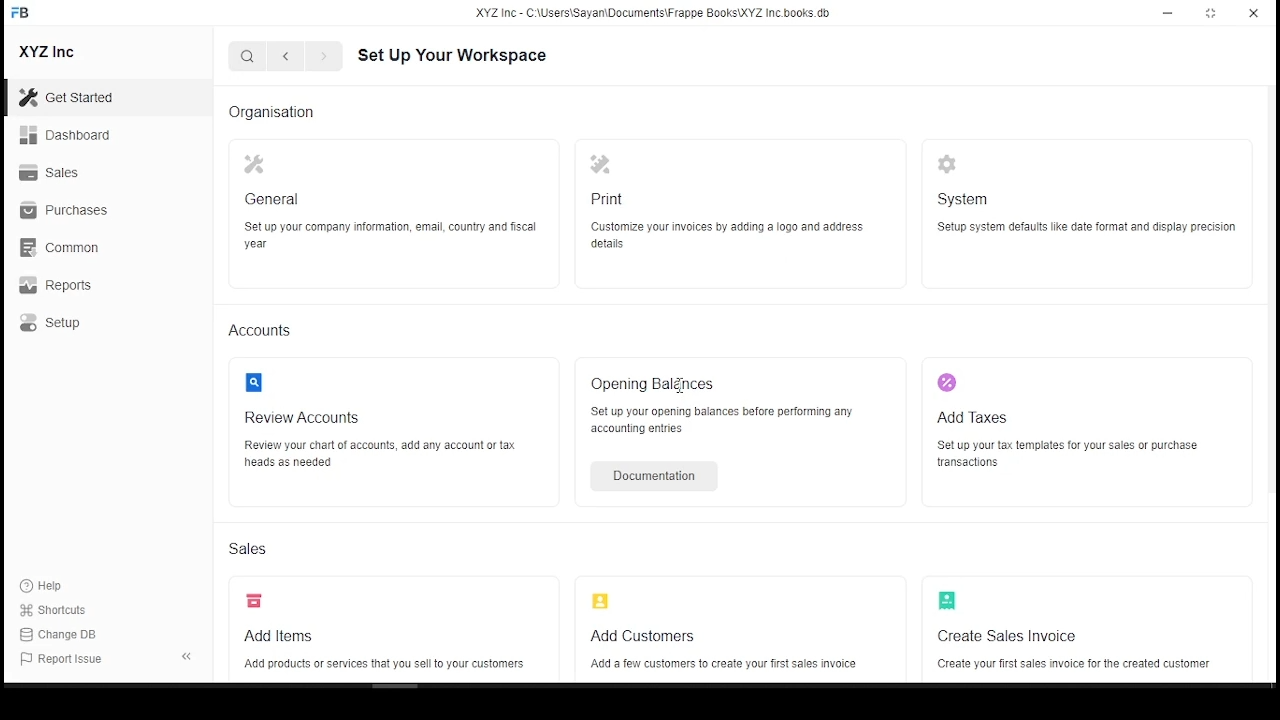  Describe the element at coordinates (1088, 228) in the screenshot. I see `setup system  defaults like date format and display precision` at that location.